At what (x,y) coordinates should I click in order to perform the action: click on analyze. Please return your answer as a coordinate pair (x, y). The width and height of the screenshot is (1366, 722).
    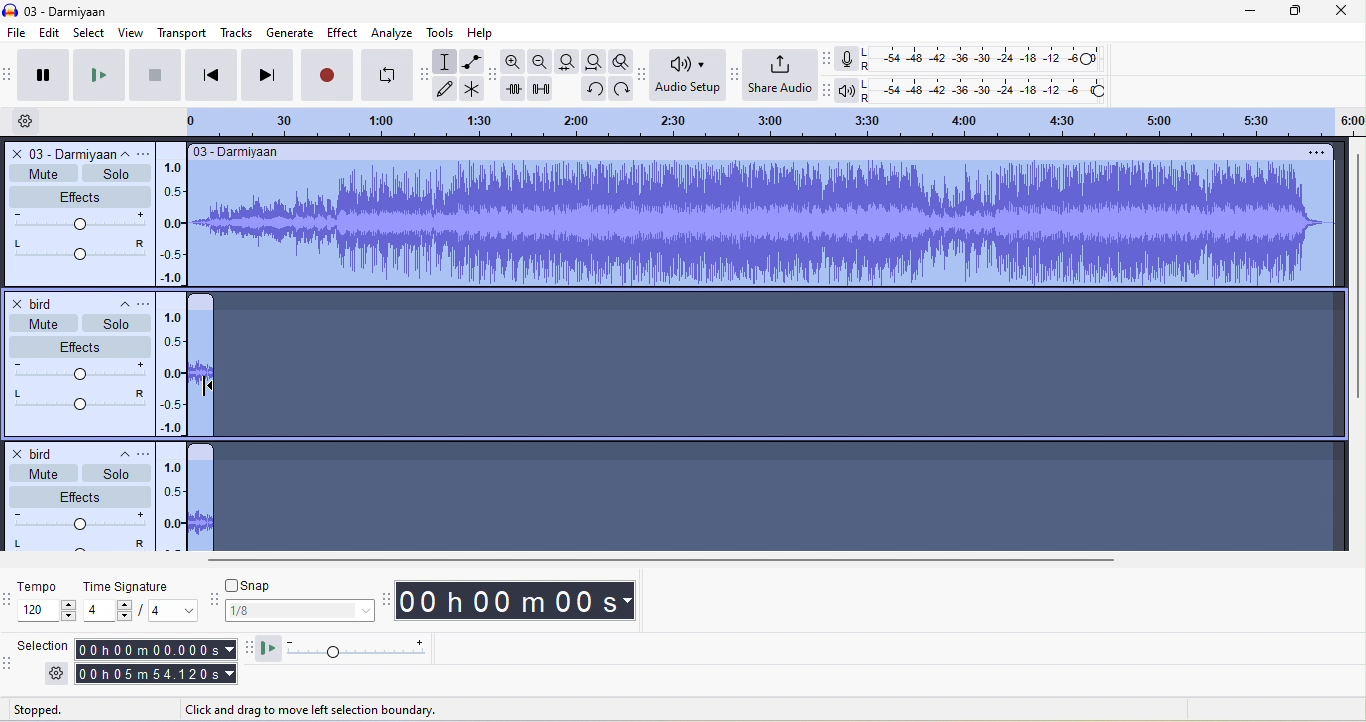
    Looking at the image, I should click on (393, 34).